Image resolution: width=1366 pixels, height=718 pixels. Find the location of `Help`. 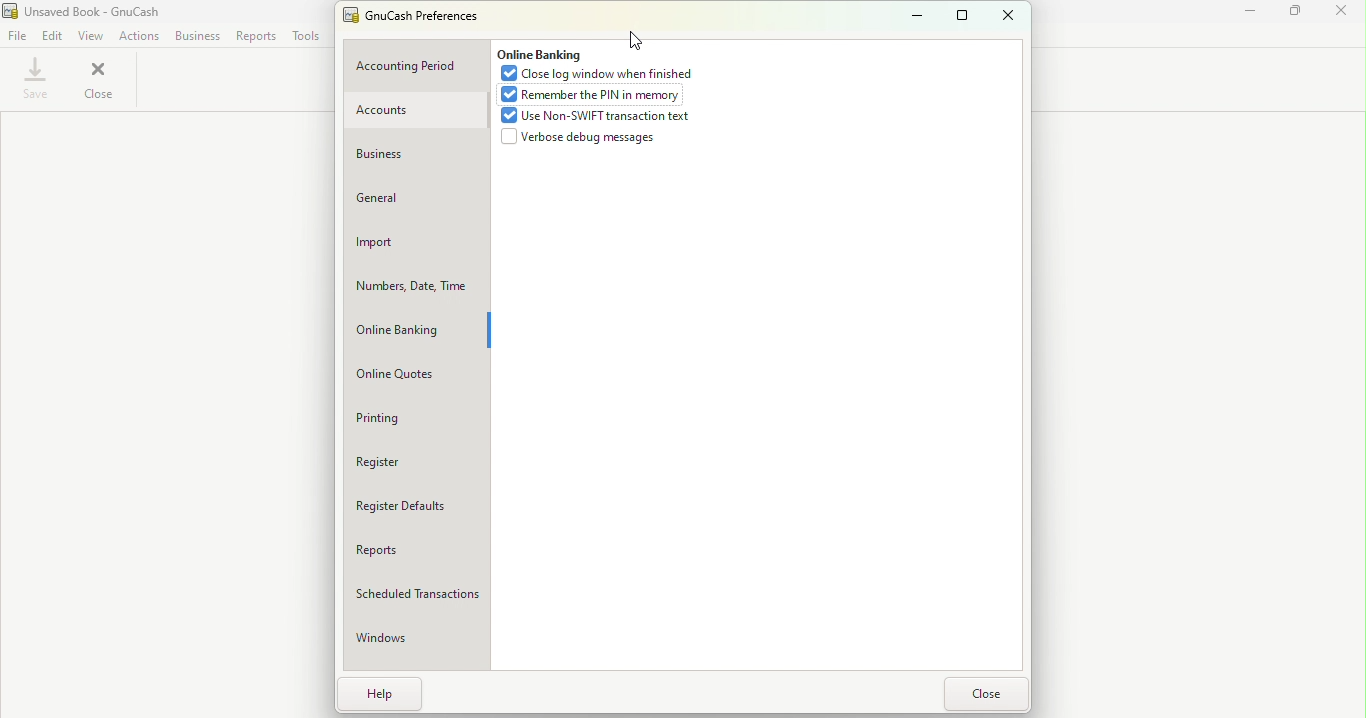

Help is located at coordinates (386, 693).